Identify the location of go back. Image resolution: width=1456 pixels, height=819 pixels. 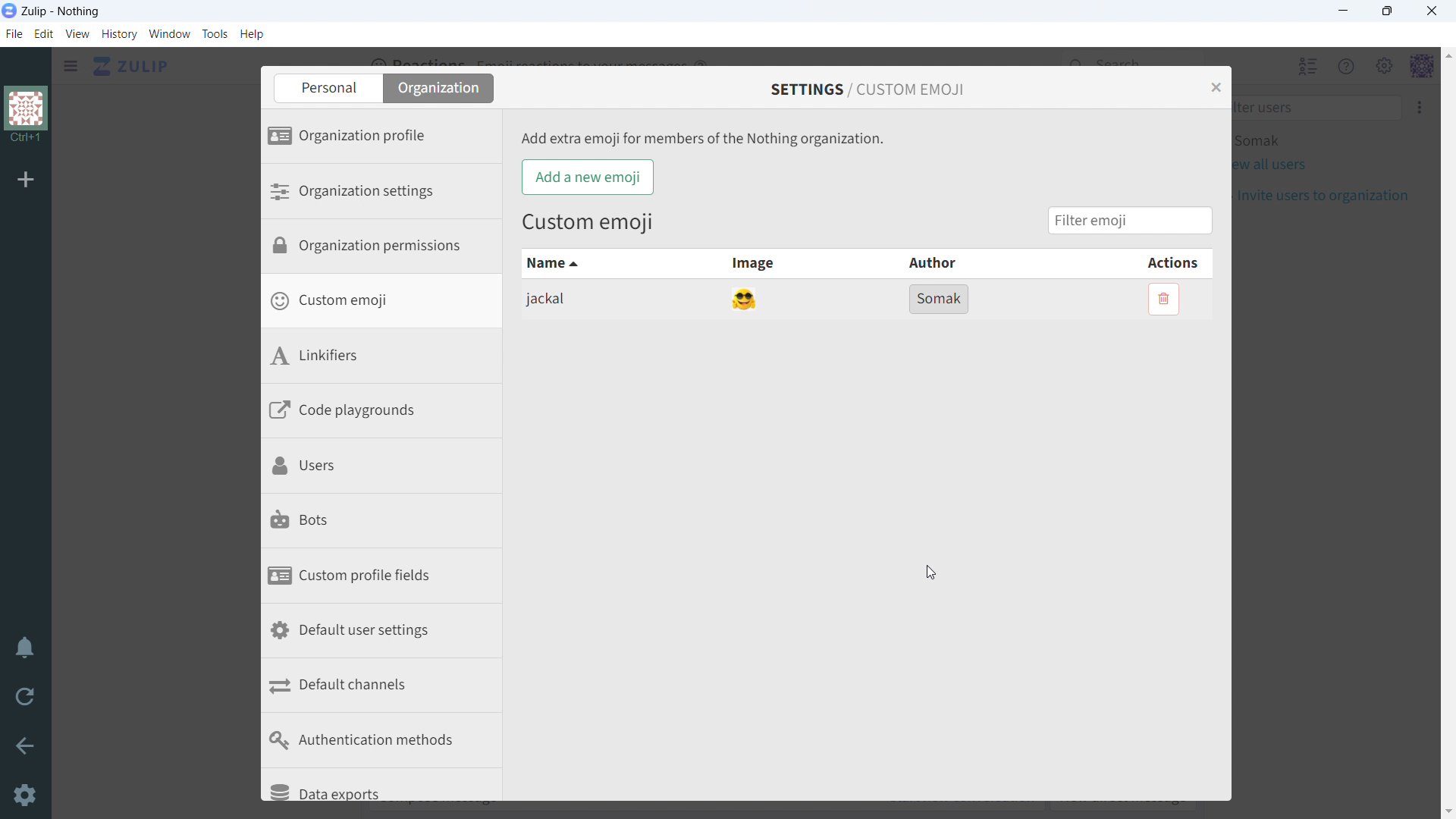
(24, 745).